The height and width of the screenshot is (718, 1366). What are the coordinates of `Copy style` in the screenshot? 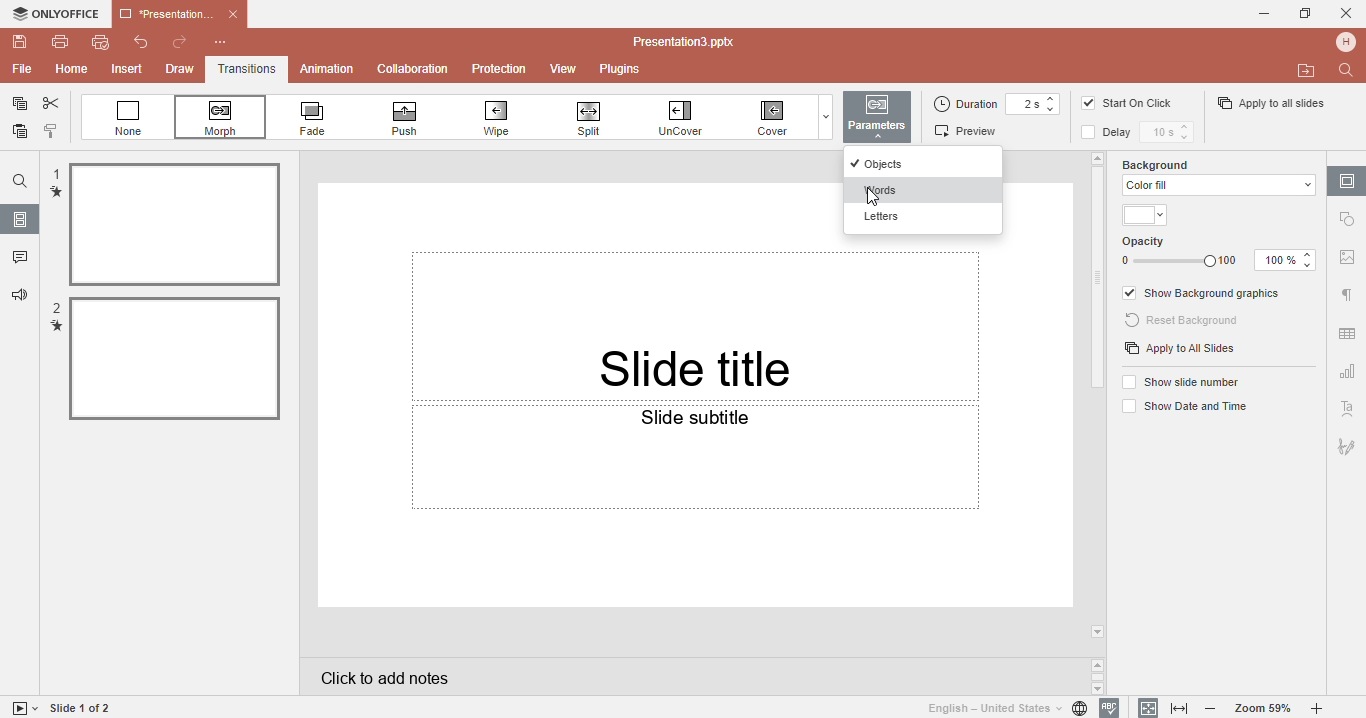 It's located at (52, 133).